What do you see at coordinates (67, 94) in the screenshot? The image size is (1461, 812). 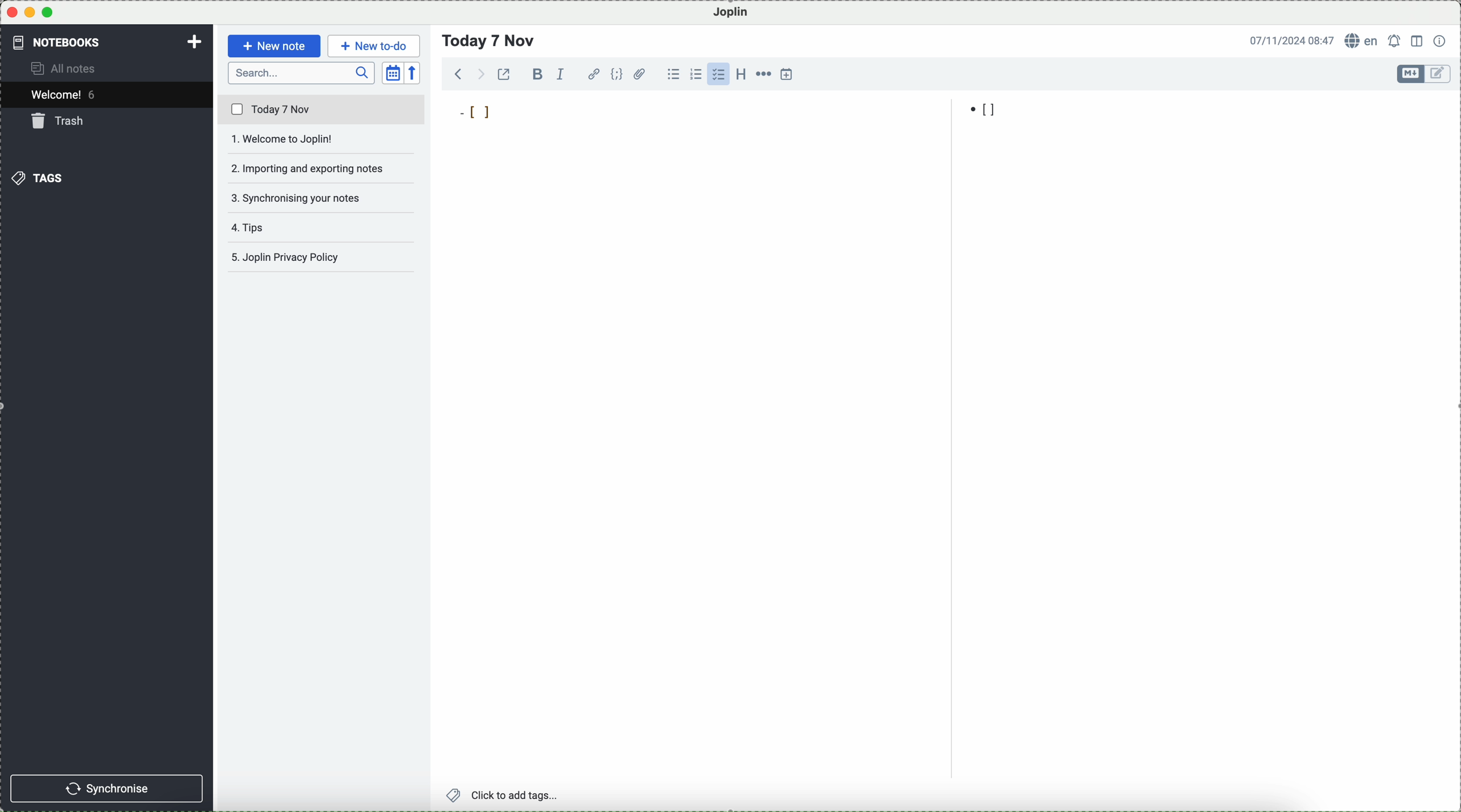 I see `welcome! 6` at bounding box center [67, 94].